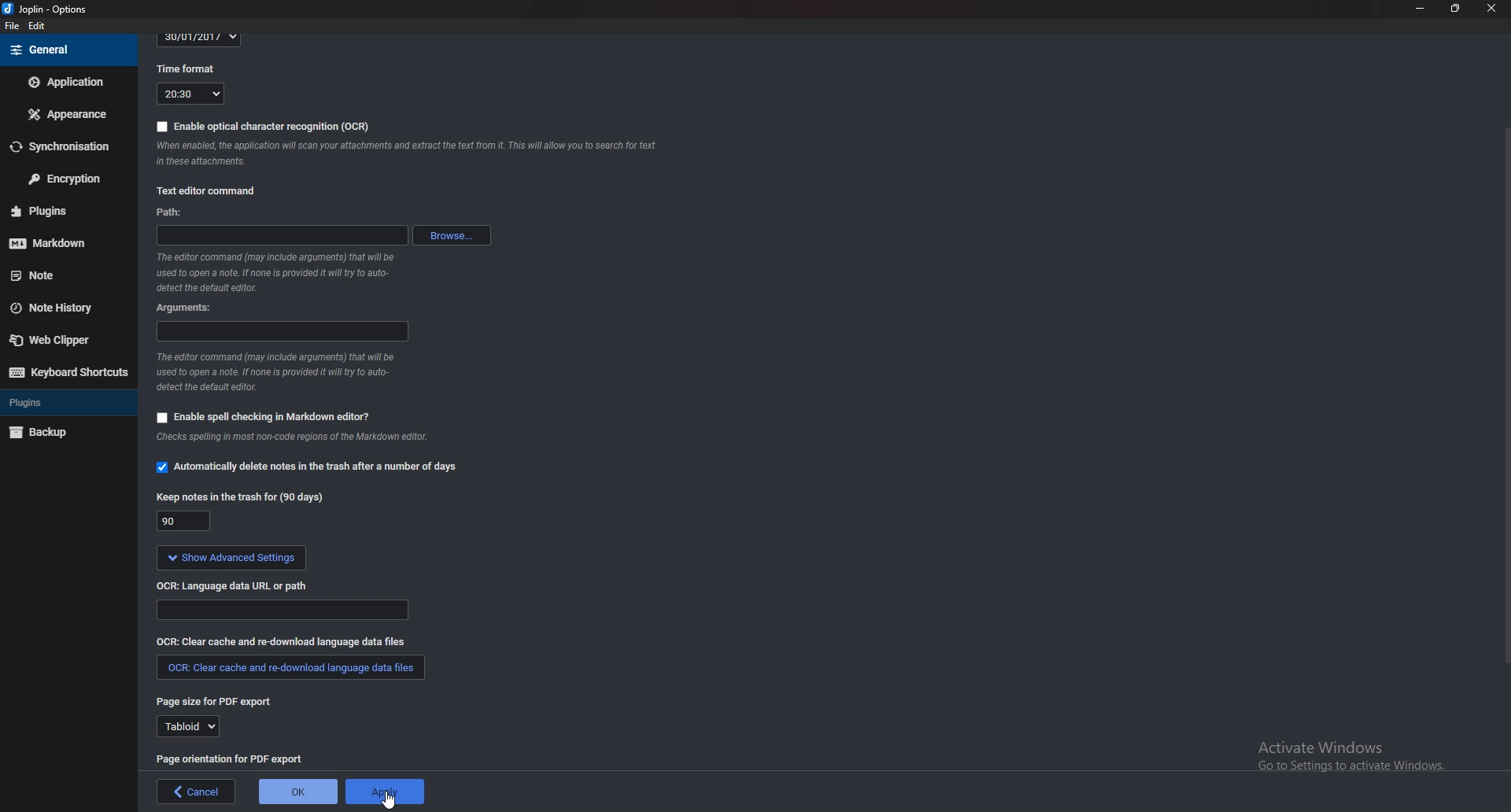 The image size is (1511, 812). Describe the element at coordinates (67, 50) in the screenshot. I see `general` at that location.